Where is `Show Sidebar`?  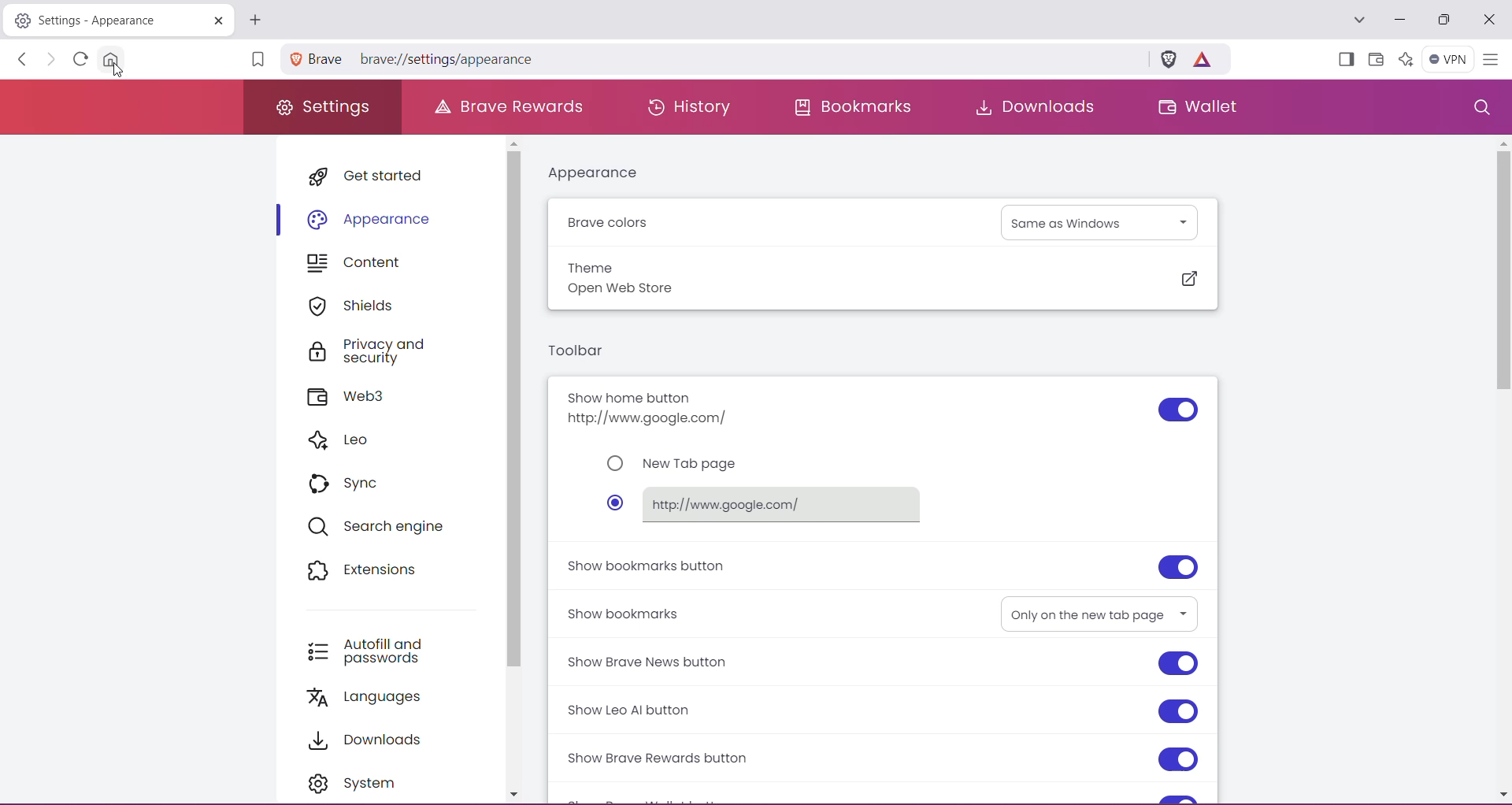 Show Sidebar is located at coordinates (1344, 61).